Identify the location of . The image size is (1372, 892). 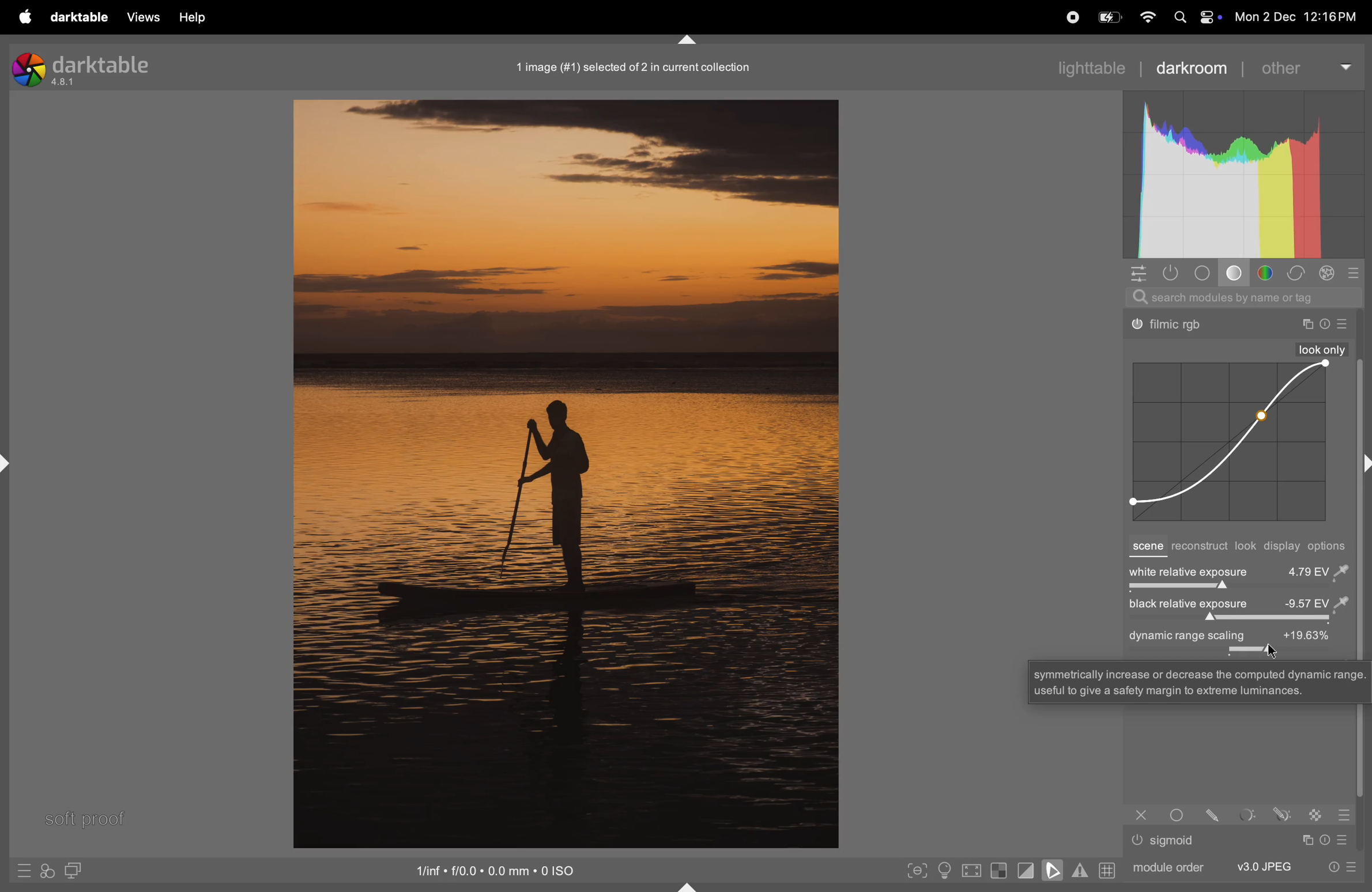
(1325, 324).